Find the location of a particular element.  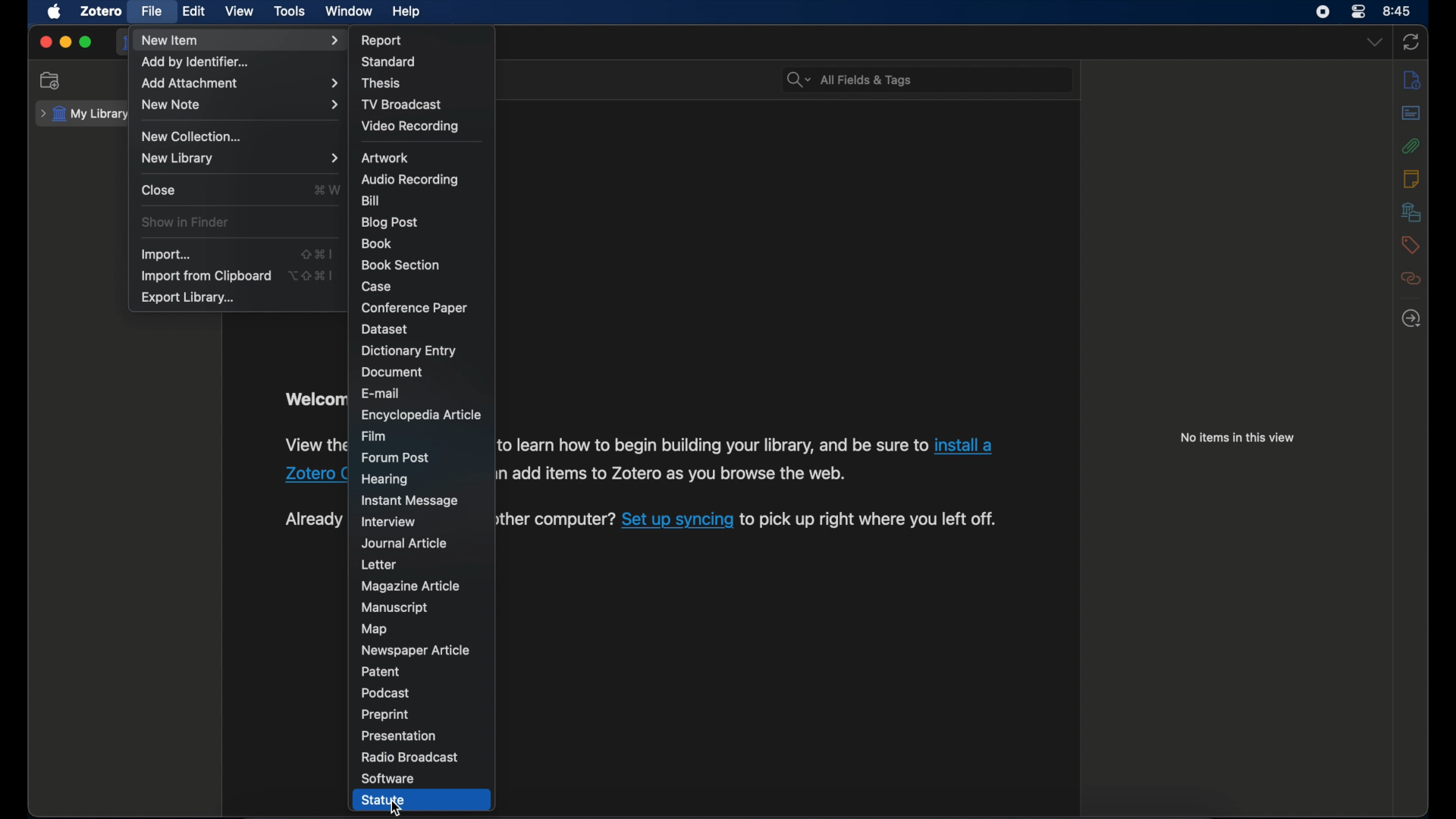

zotero is located at coordinates (99, 11).